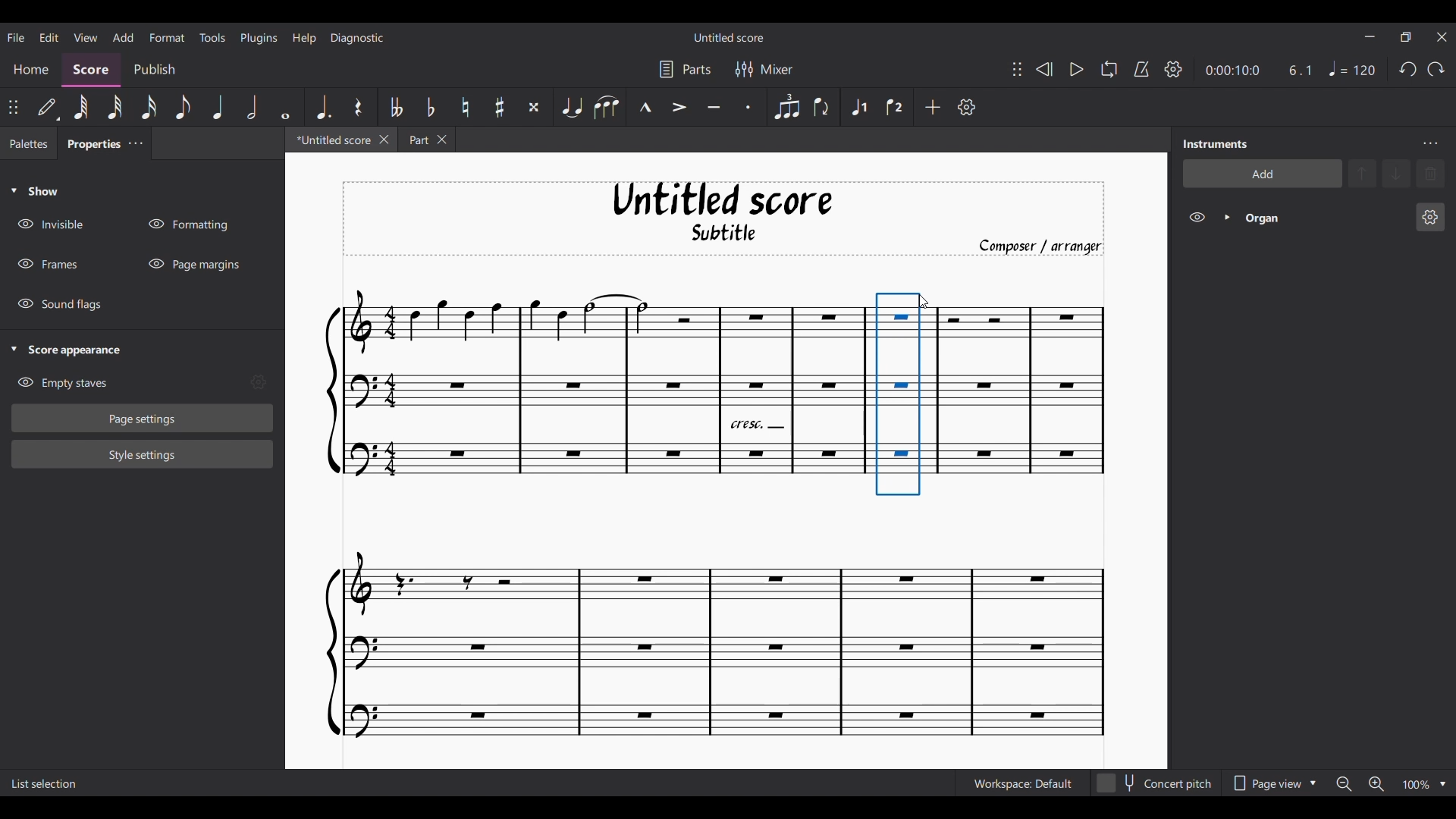 This screenshot has width=1456, height=819. Describe the element at coordinates (1362, 173) in the screenshot. I see `Move selection up` at that location.